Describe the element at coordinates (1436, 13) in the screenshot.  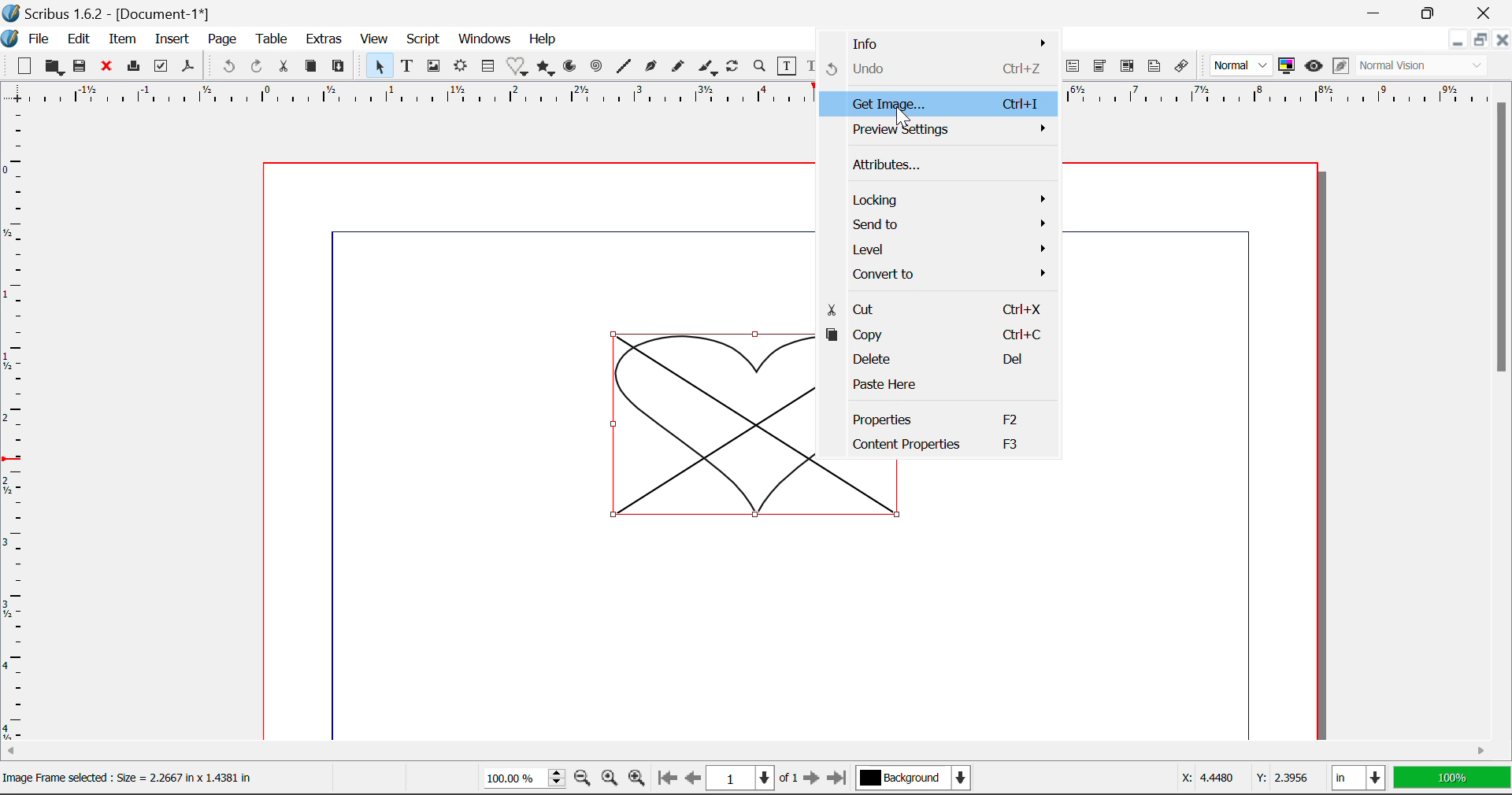
I see `Minimize` at that location.